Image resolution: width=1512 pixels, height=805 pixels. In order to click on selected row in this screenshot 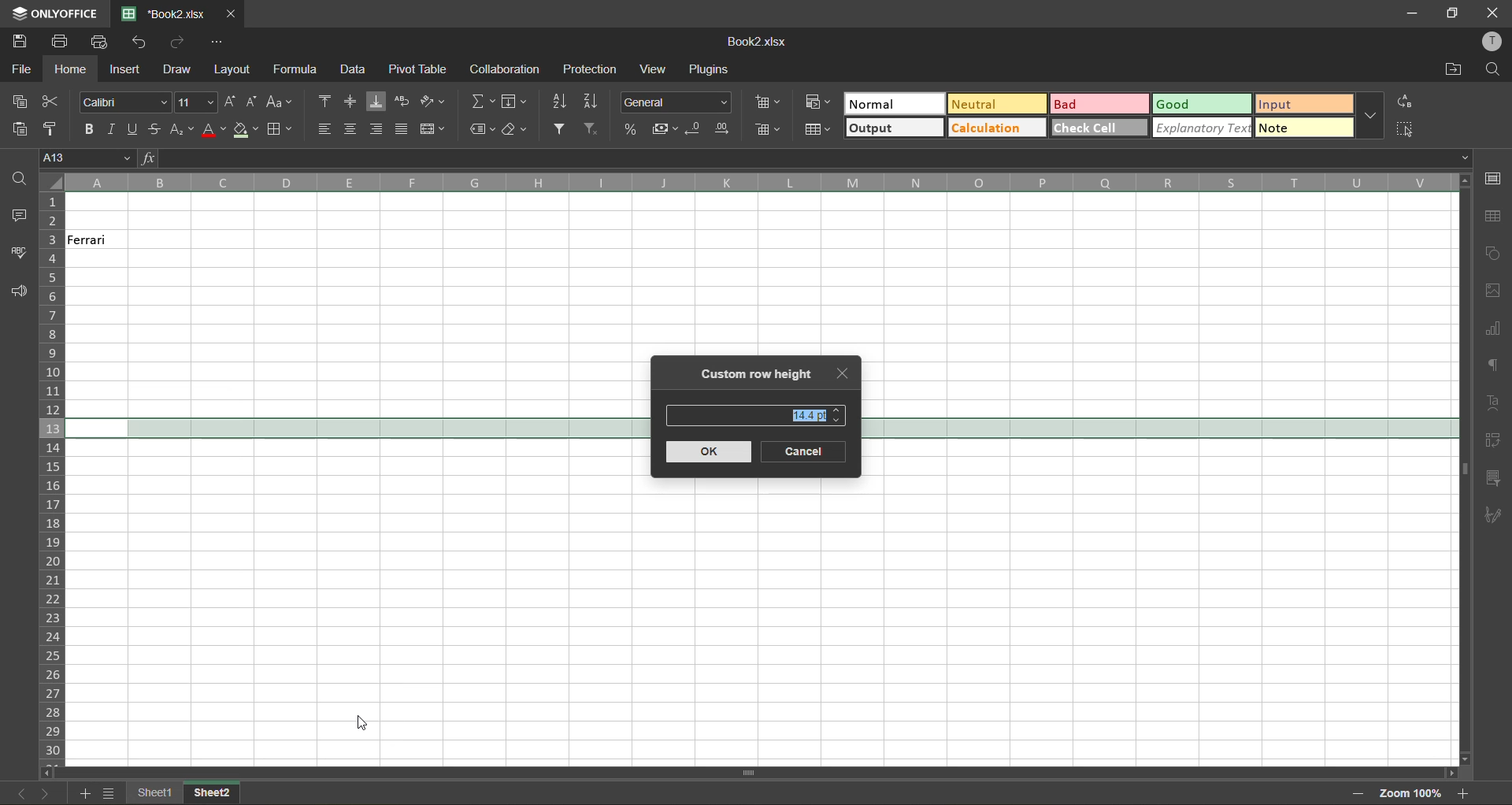, I will do `click(357, 429)`.